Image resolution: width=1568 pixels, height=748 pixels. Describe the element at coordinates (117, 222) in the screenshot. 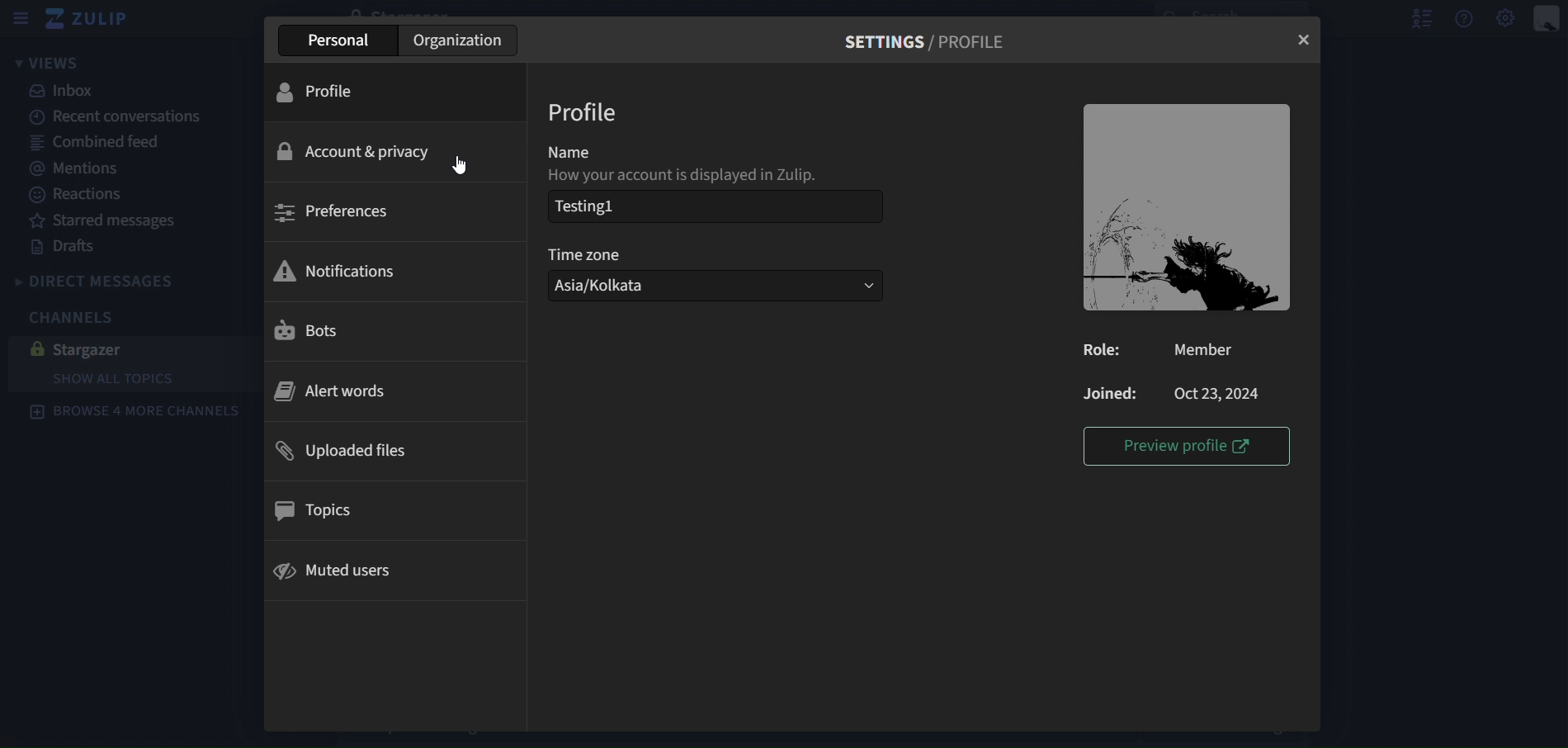

I see `starred messages` at that location.